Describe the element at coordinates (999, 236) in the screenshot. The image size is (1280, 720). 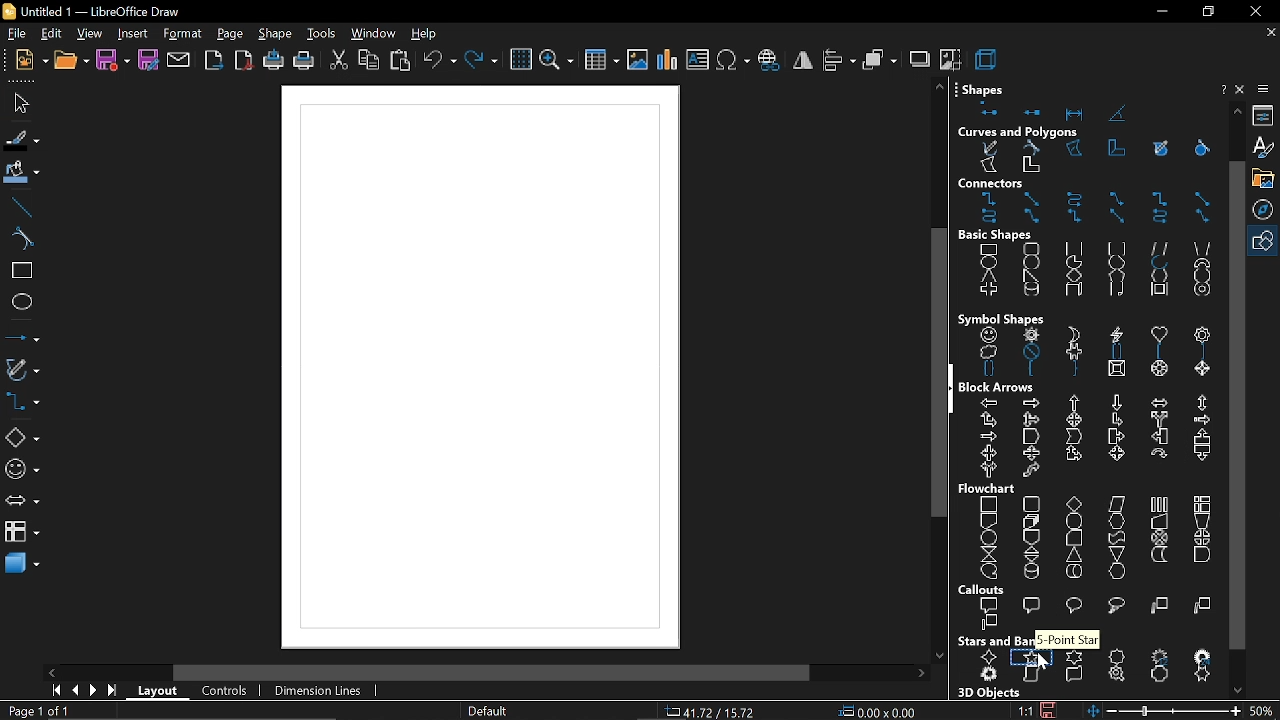
I see `basic shapes` at that location.